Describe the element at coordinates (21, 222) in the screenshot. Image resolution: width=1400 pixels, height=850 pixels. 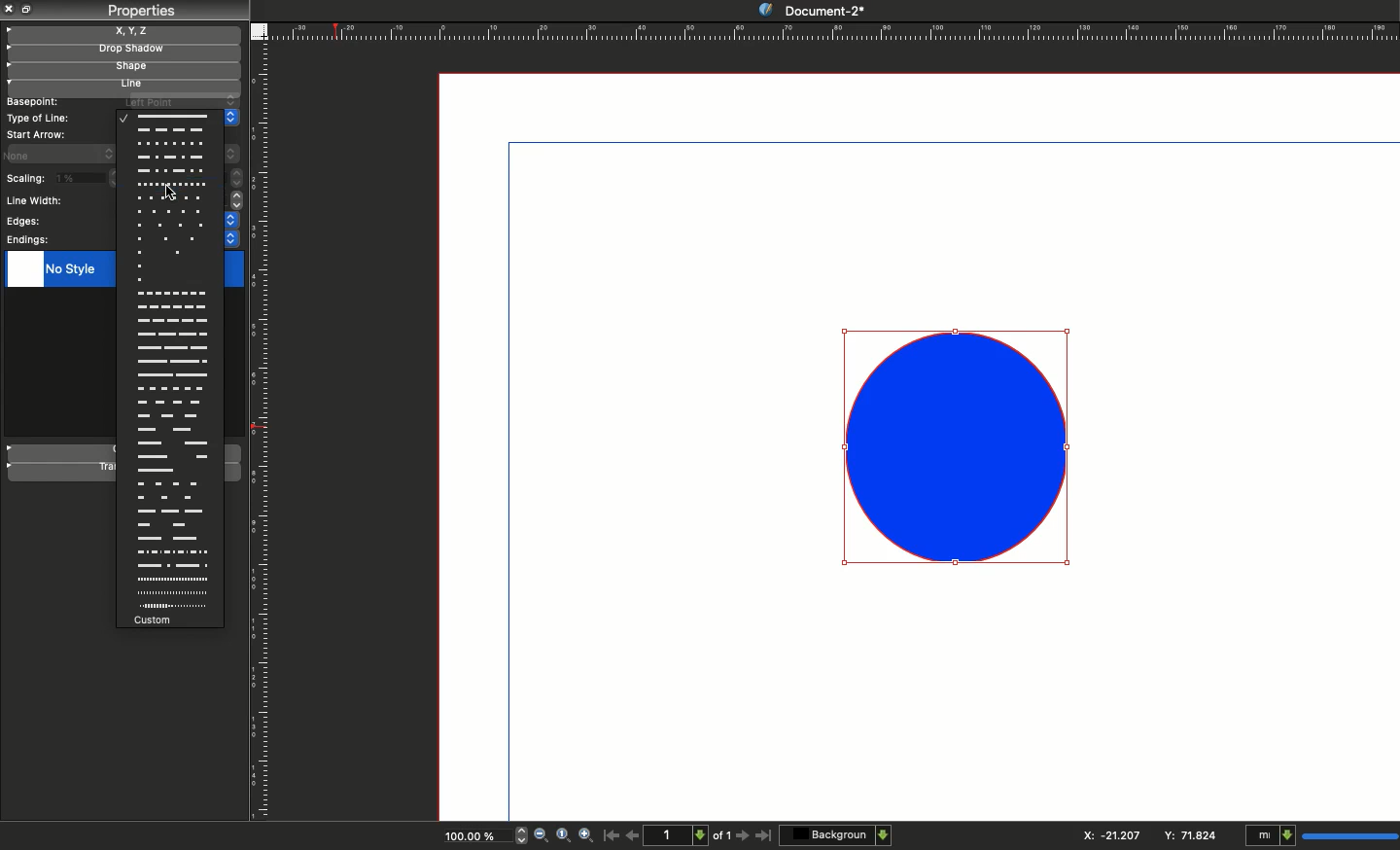
I see `Edges` at that location.